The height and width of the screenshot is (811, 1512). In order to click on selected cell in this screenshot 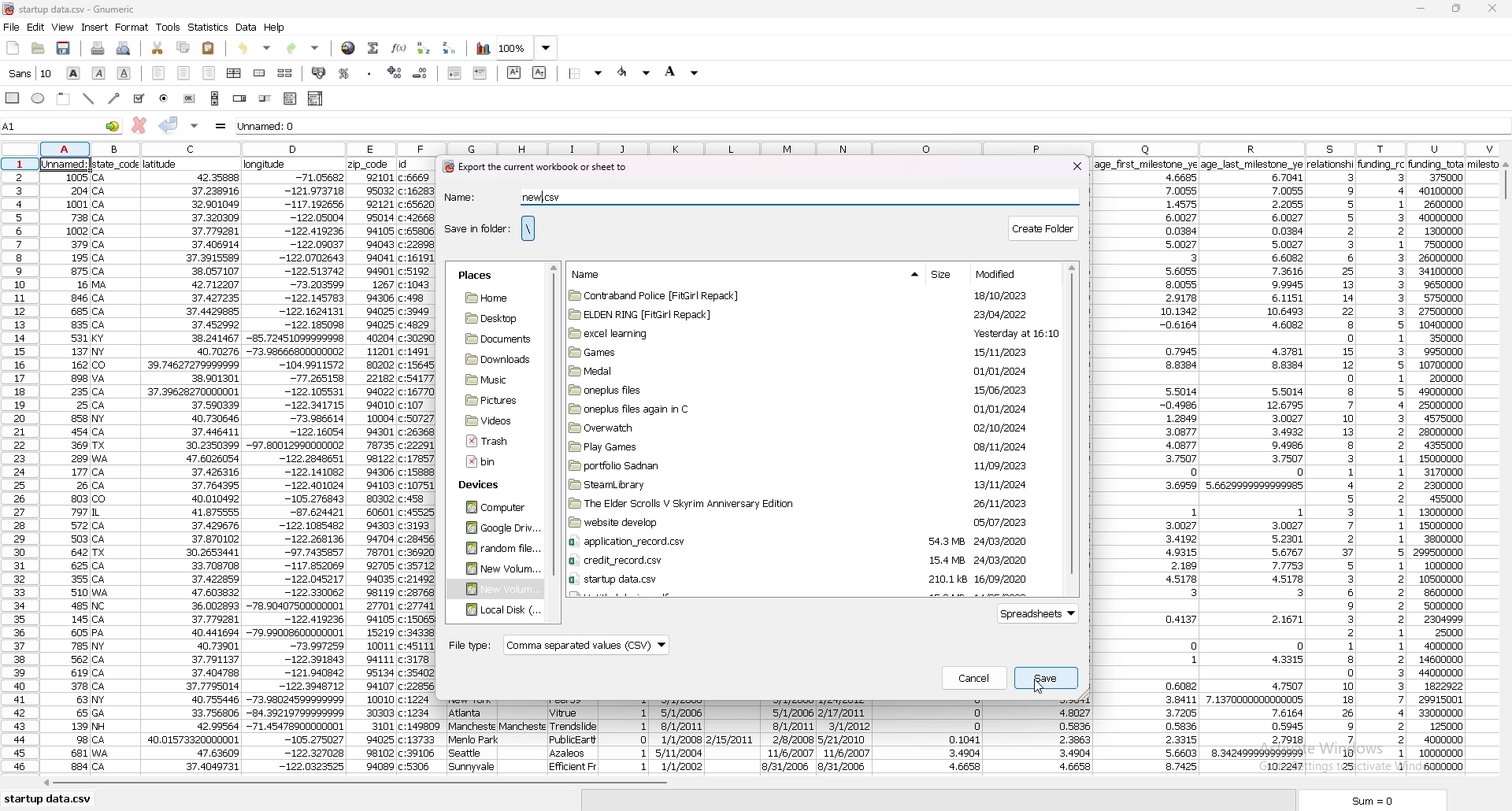, I will do `click(61, 125)`.